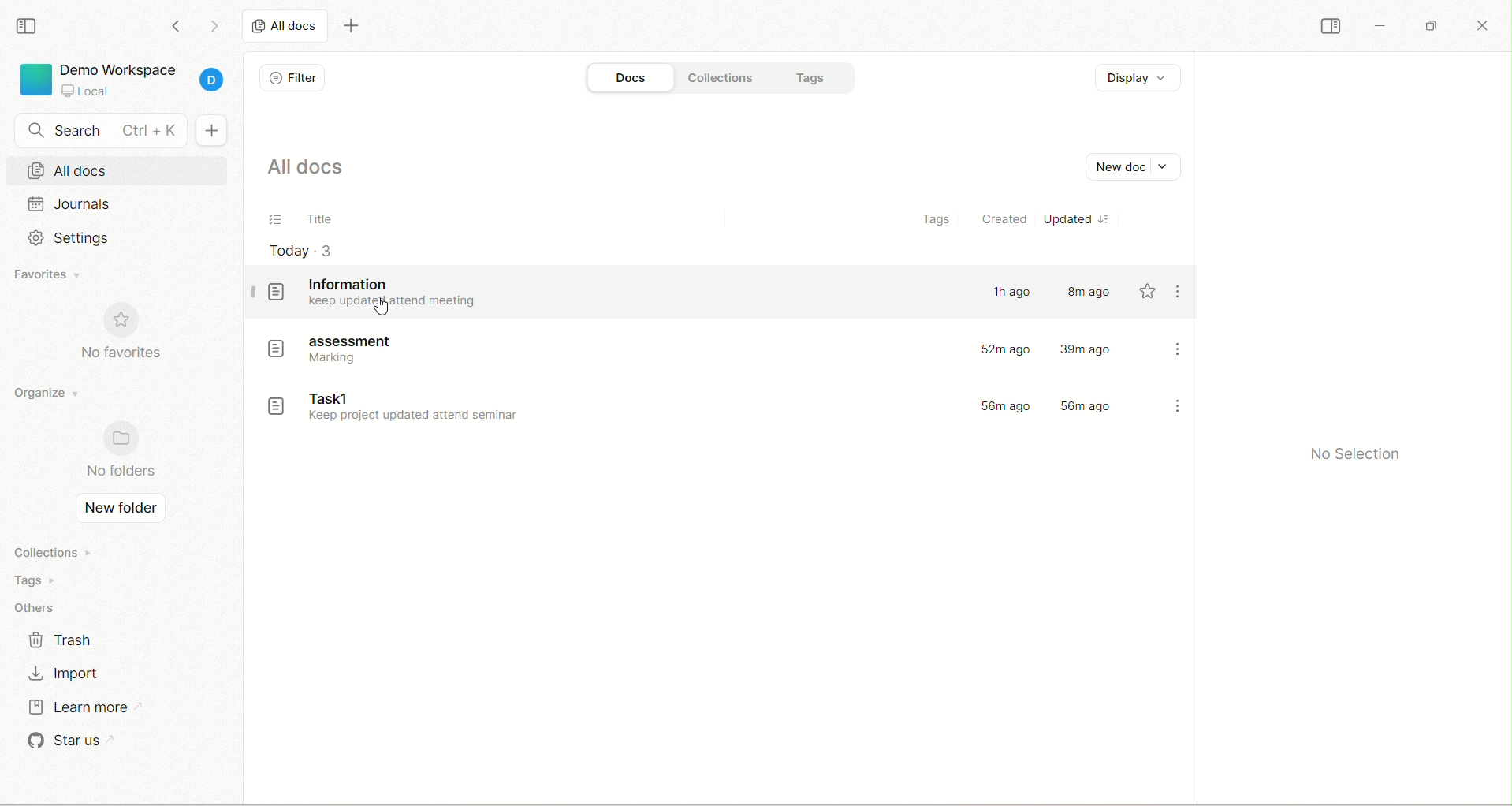 The image size is (1512, 806). Describe the element at coordinates (67, 640) in the screenshot. I see `trash` at that location.